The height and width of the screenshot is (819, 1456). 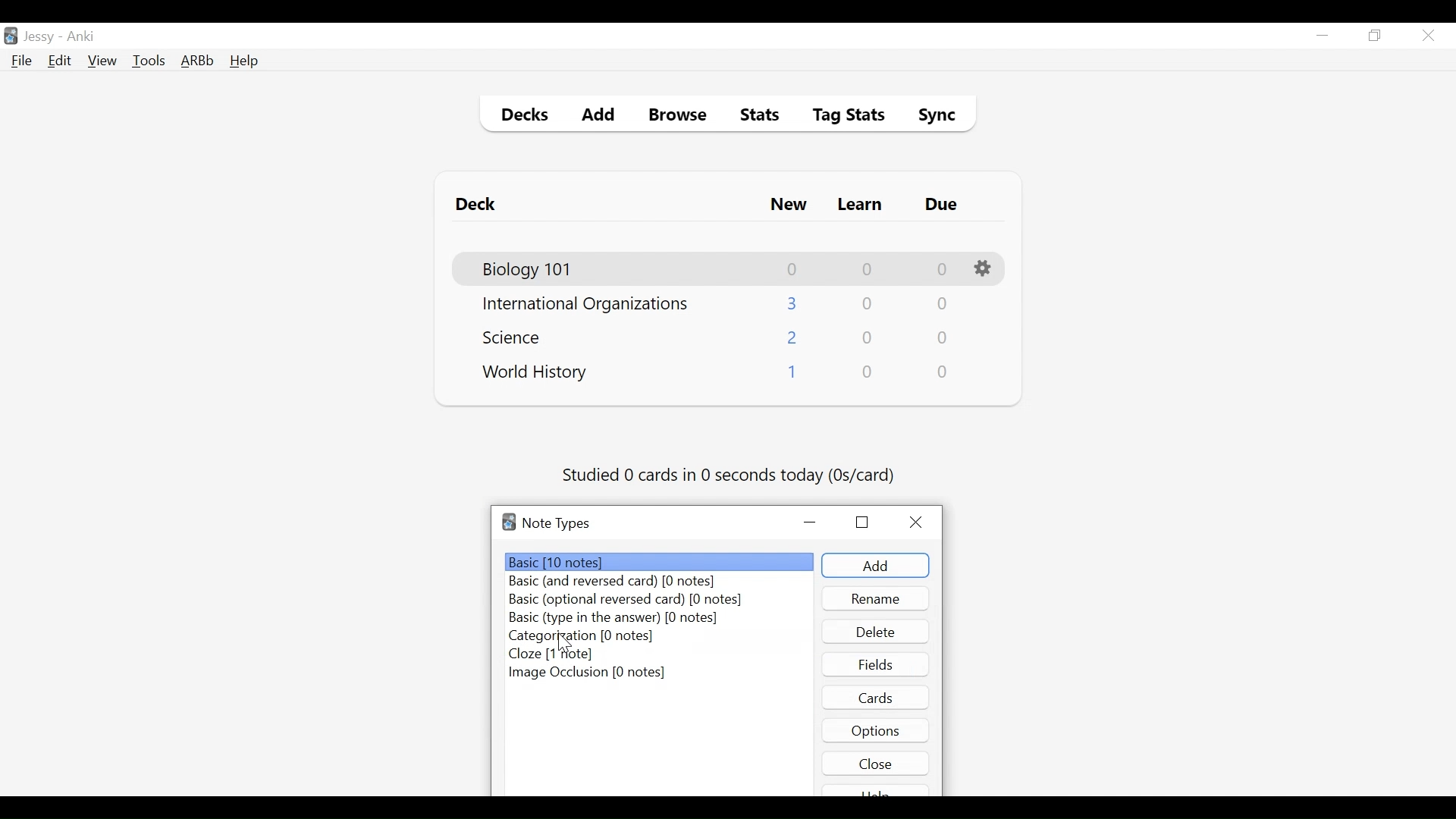 What do you see at coordinates (149, 60) in the screenshot?
I see `Tools` at bounding box center [149, 60].